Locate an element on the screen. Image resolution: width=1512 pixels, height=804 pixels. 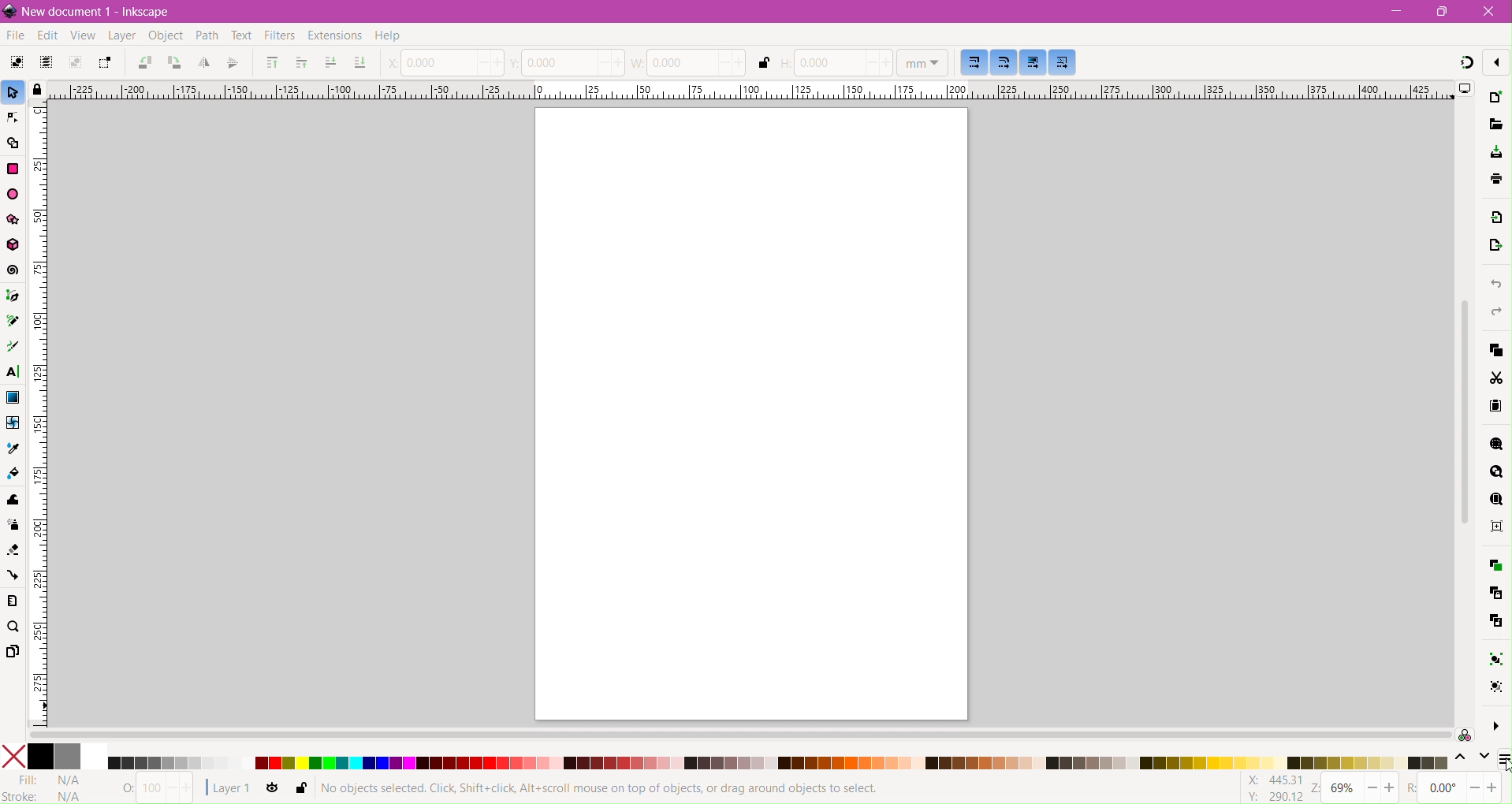
Move gradients along with the objects is located at coordinates (1032, 62).